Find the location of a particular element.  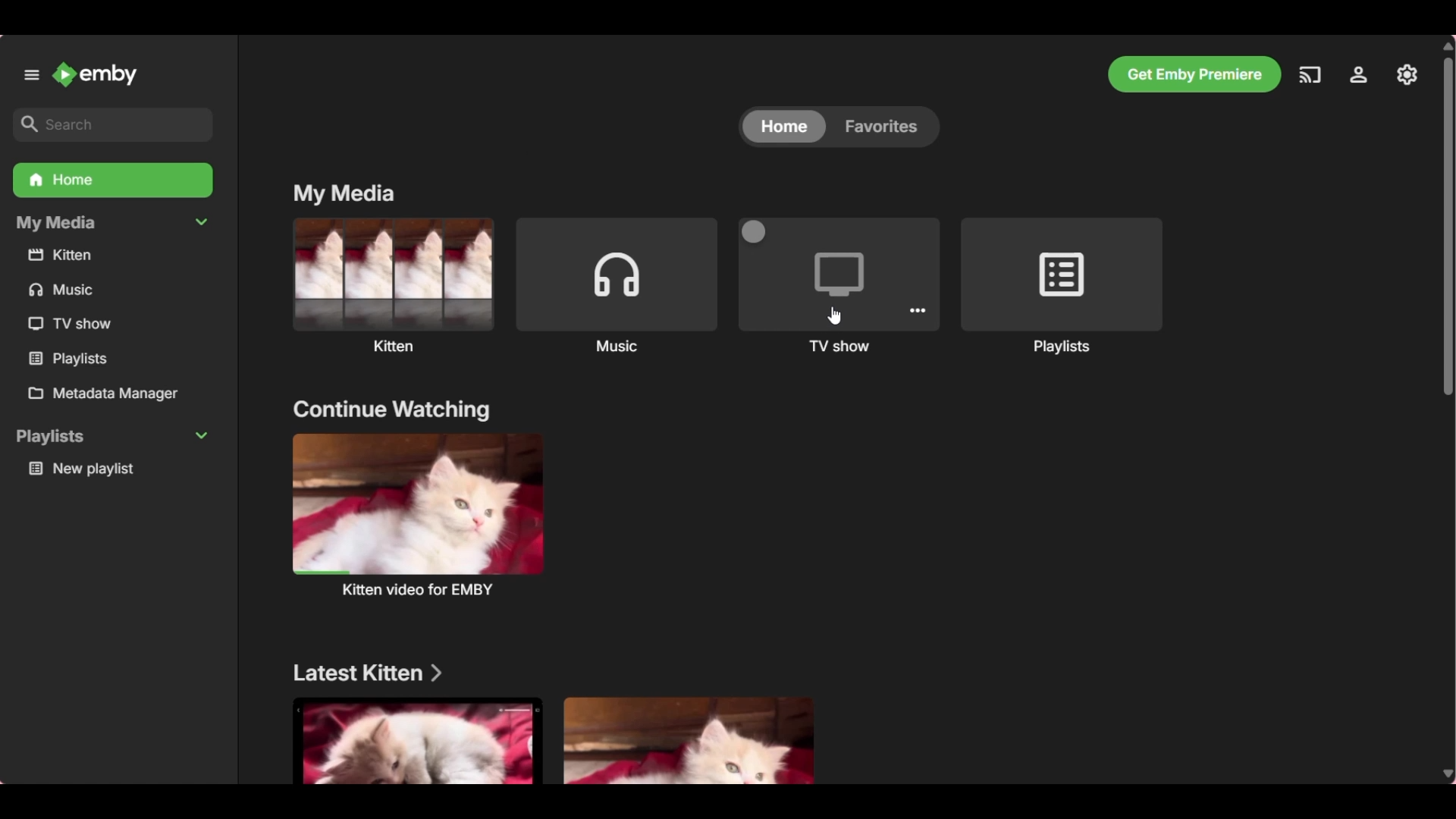

Preview and title of media under above title is located at coordinates (419, 503).